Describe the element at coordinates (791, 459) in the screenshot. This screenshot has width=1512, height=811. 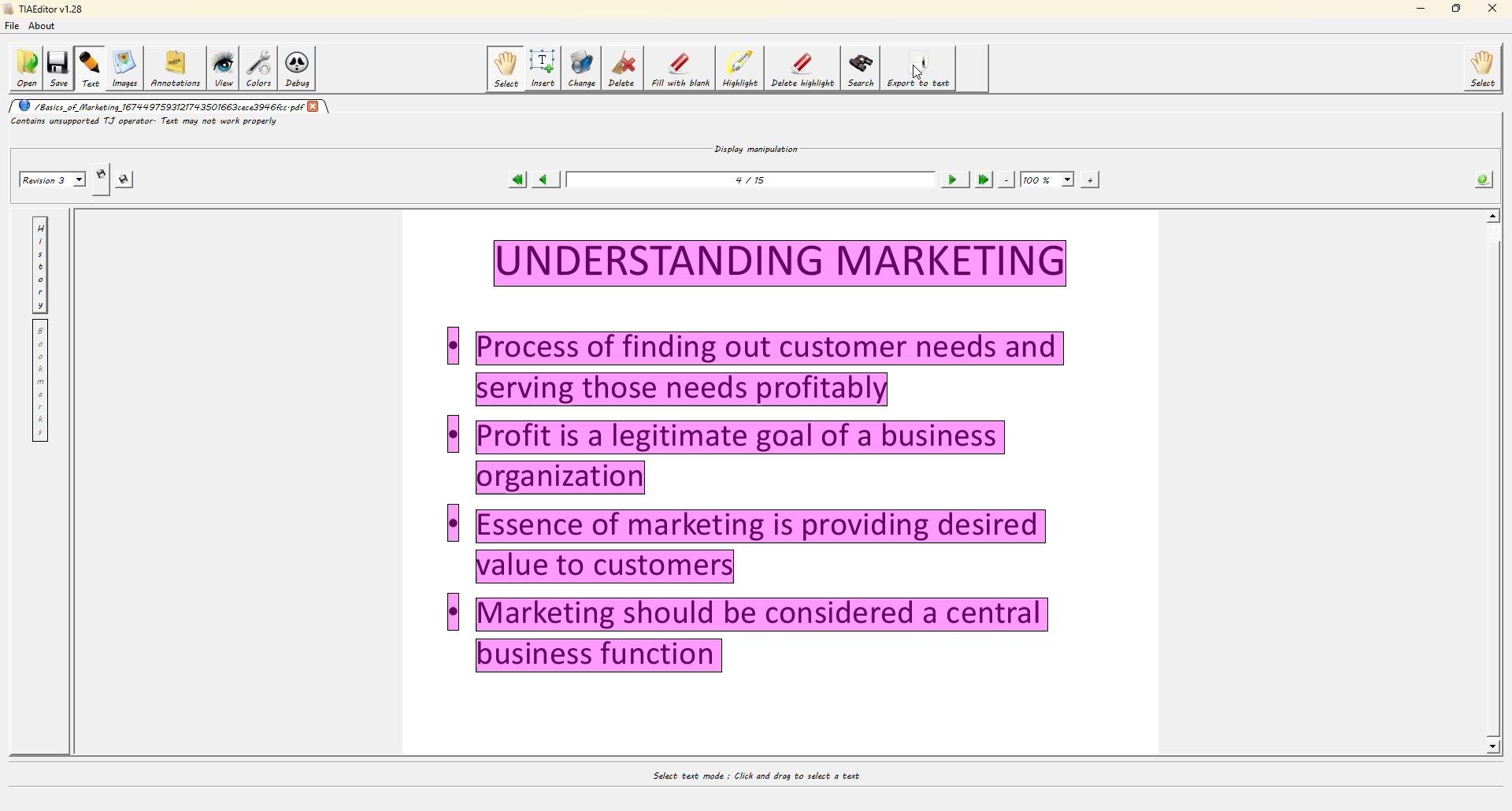
I see `4 Process of finding out customer needs and4 Profit i a legitimate goal of a business.4 [Essence of marketing 1s providing desired4 Marketing should be considered a central business function.` at that location.